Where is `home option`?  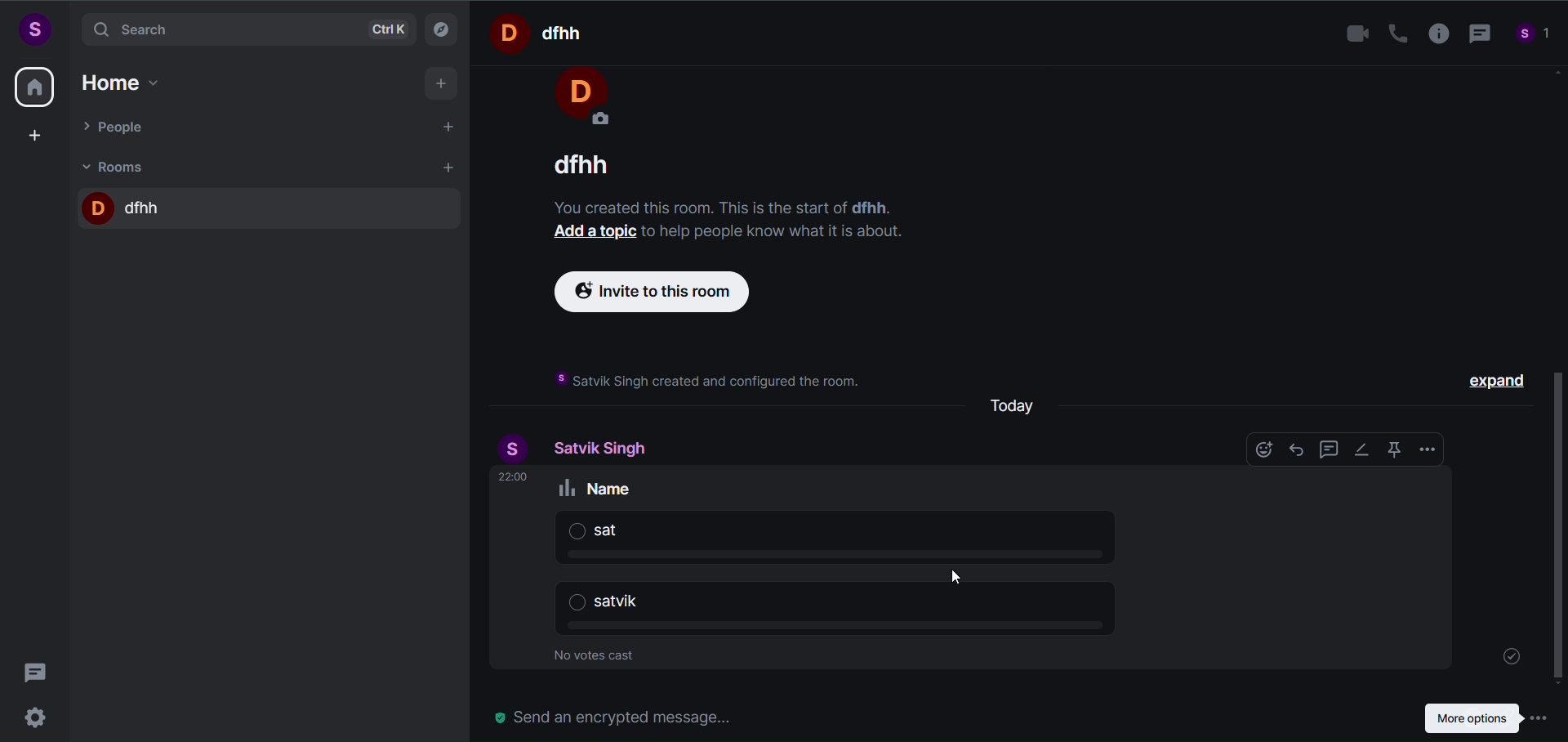
home option is located at coordinates (127, 80).